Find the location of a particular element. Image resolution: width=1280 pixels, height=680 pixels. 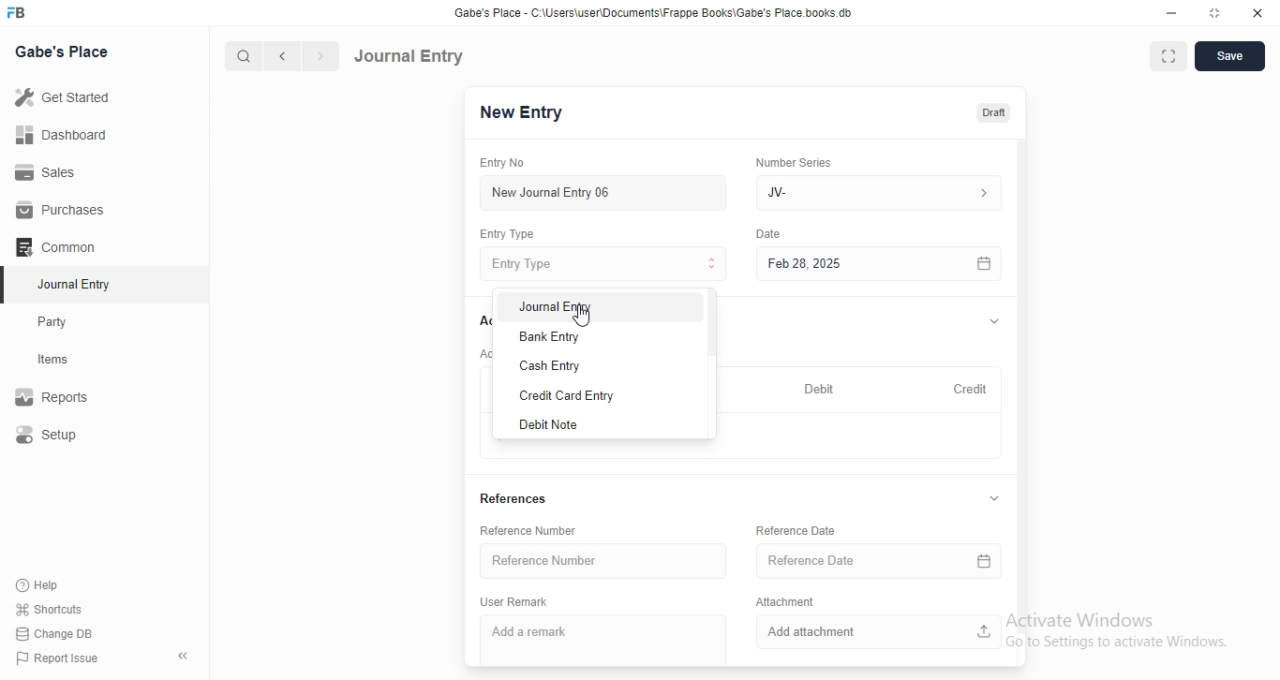

minimize is located at coordinates (1170, 16).